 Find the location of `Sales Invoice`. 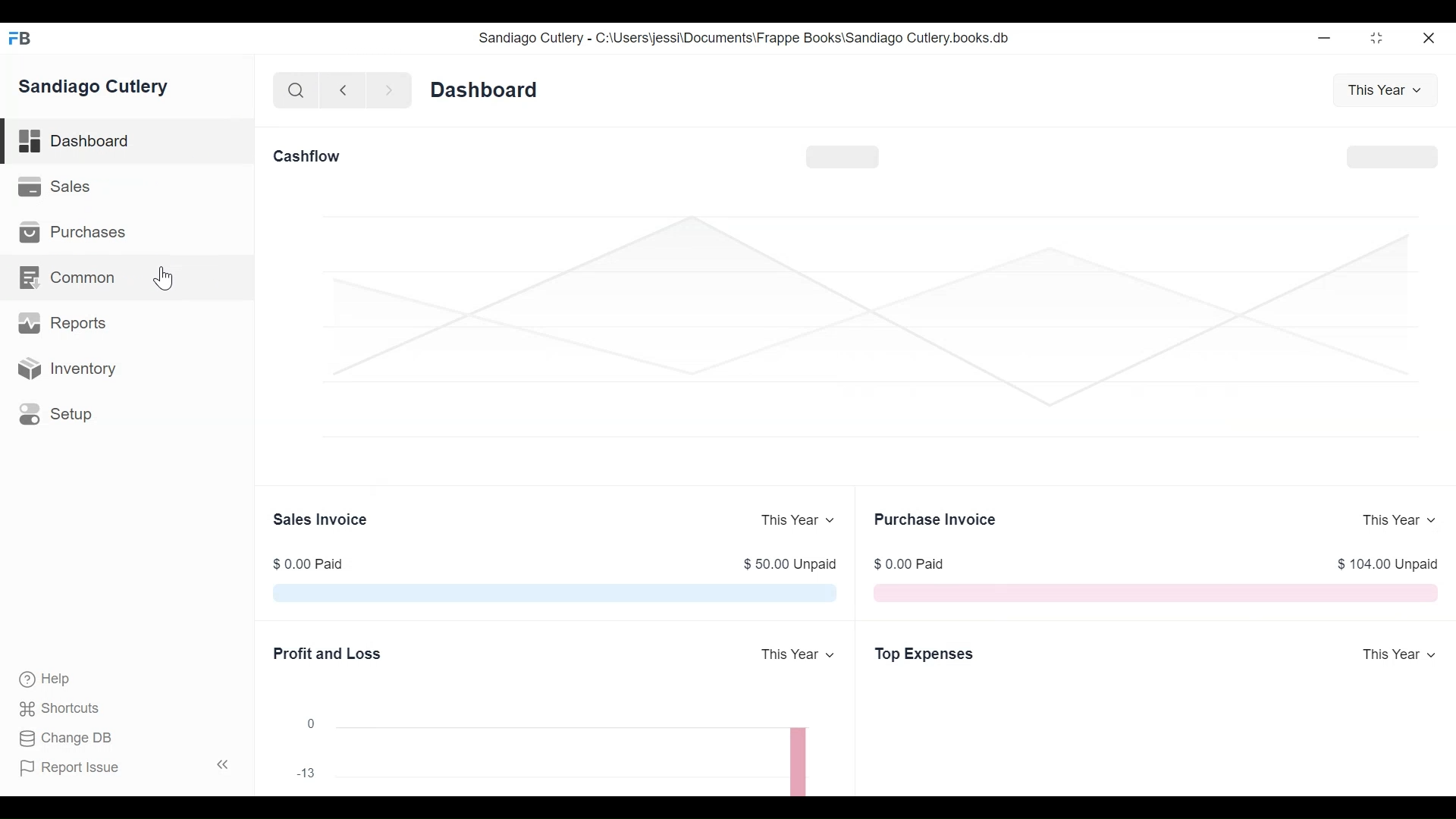

Sales Invoice is located at coordinates (321, 520).